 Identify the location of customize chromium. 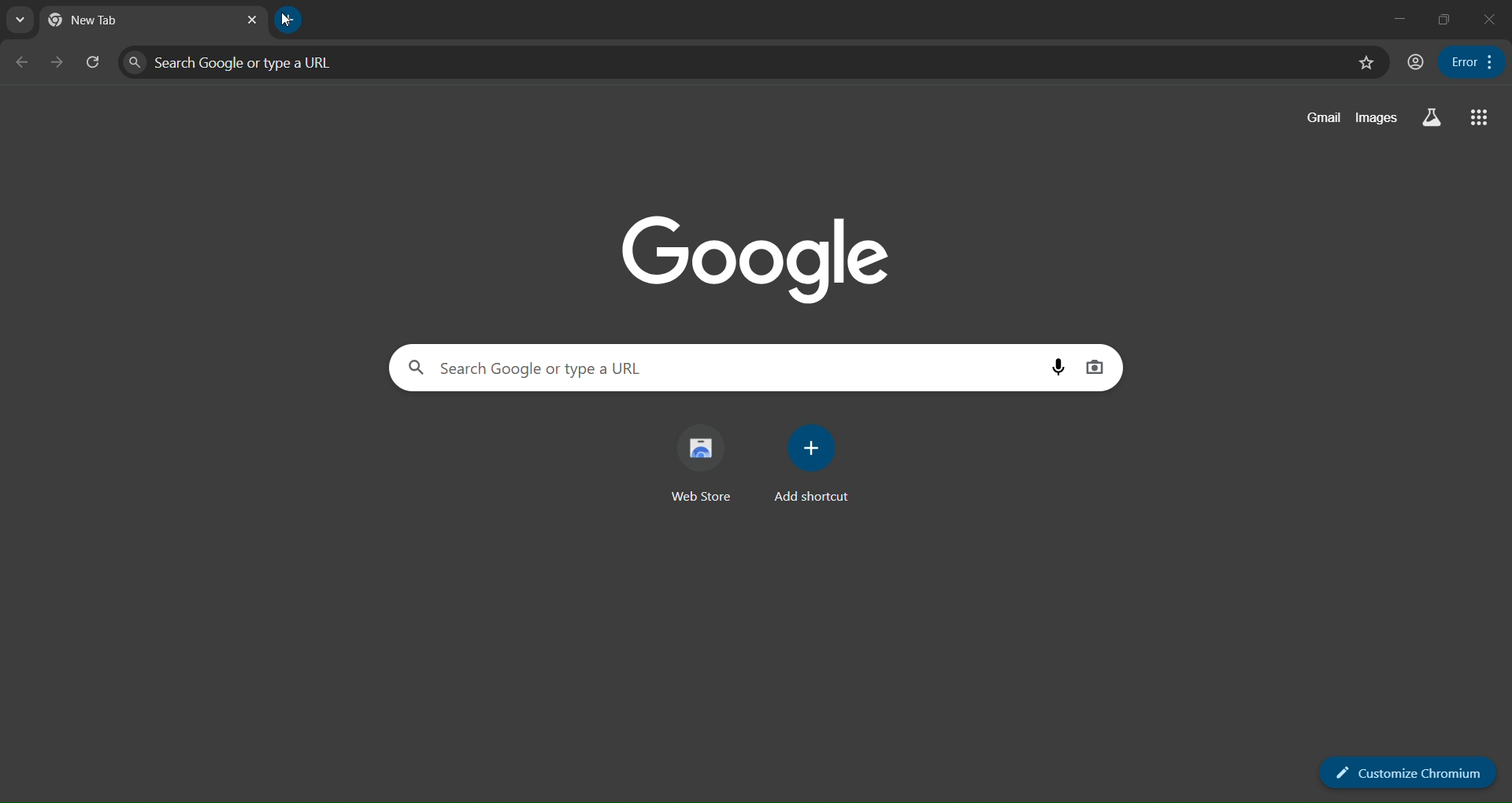
(1397, 768).